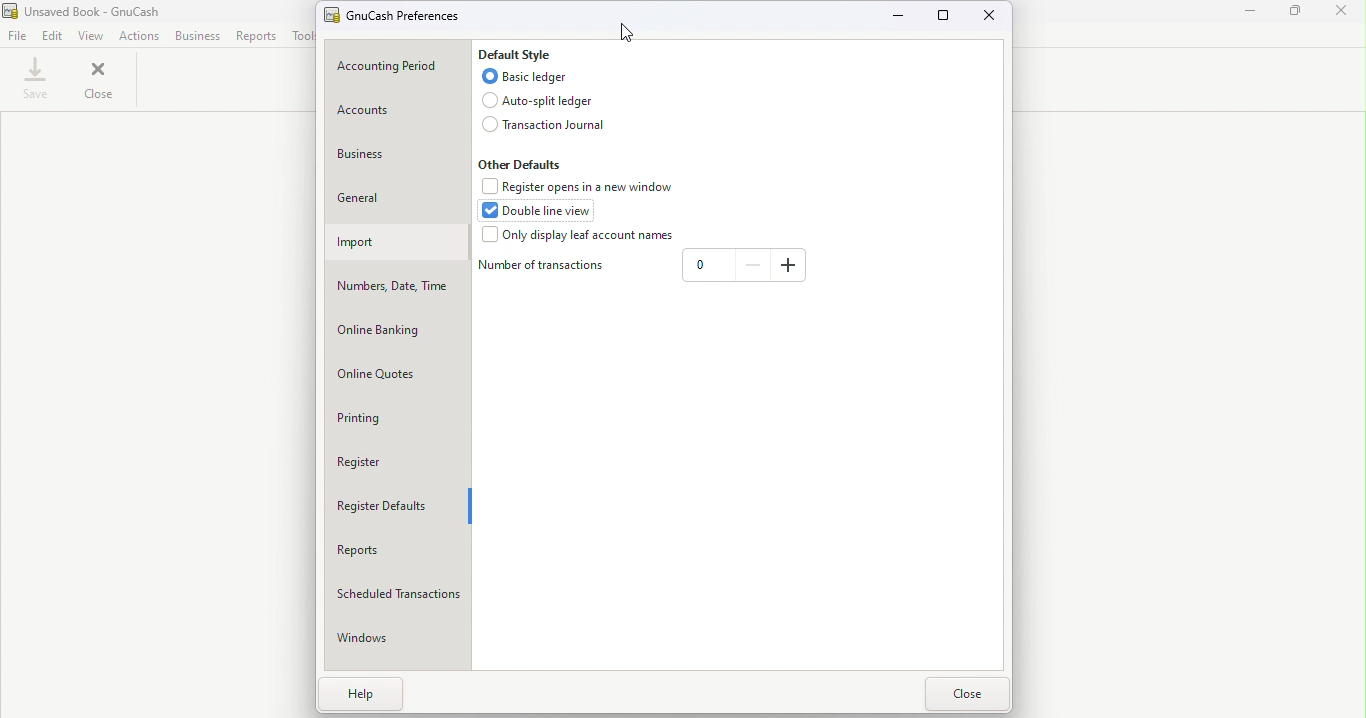 The image size is (1366, 718). I want to click on close, so click(966, 693).